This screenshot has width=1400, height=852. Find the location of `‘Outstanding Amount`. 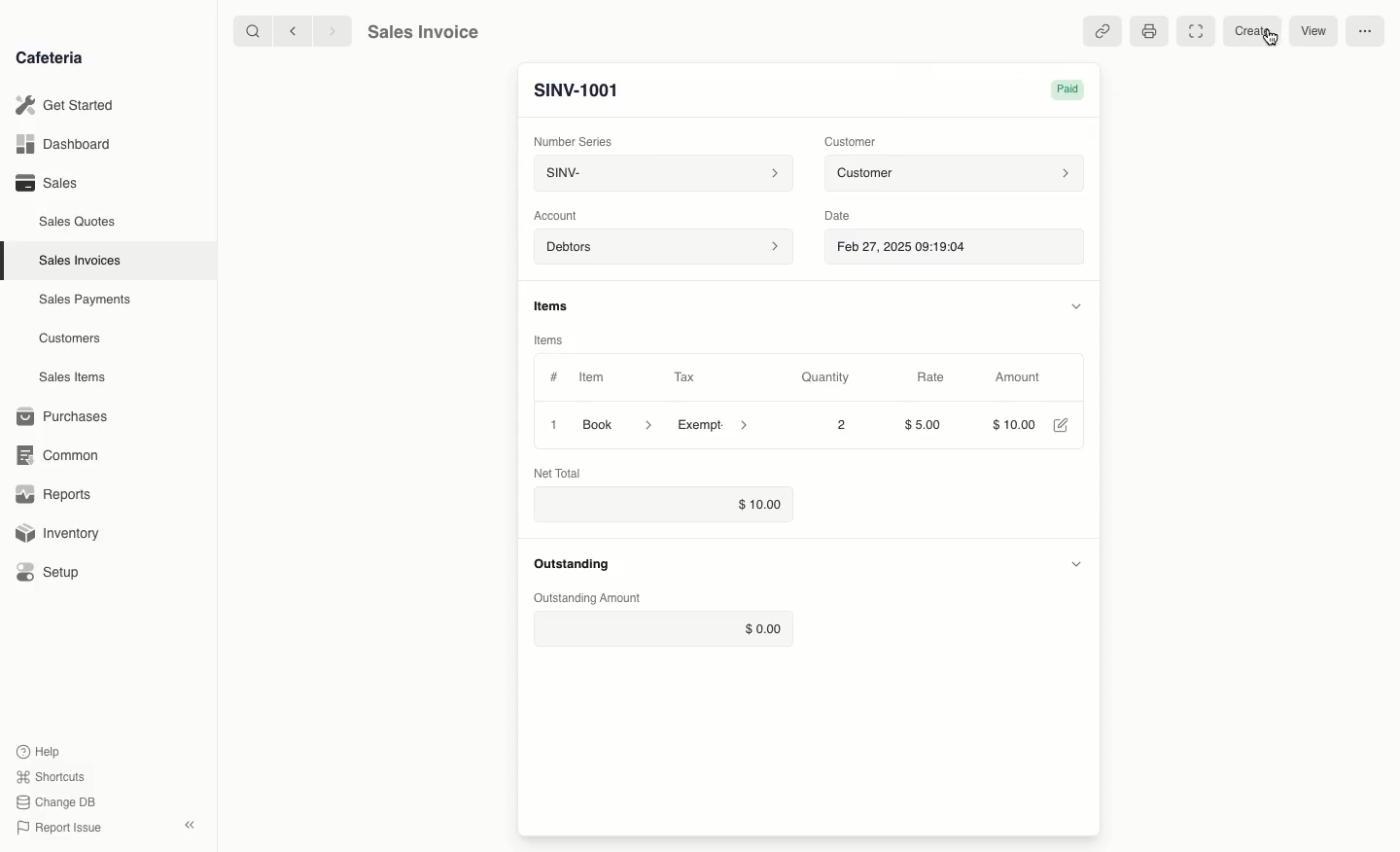

‘Outstanding Amount is located at coordinates (588, 599).